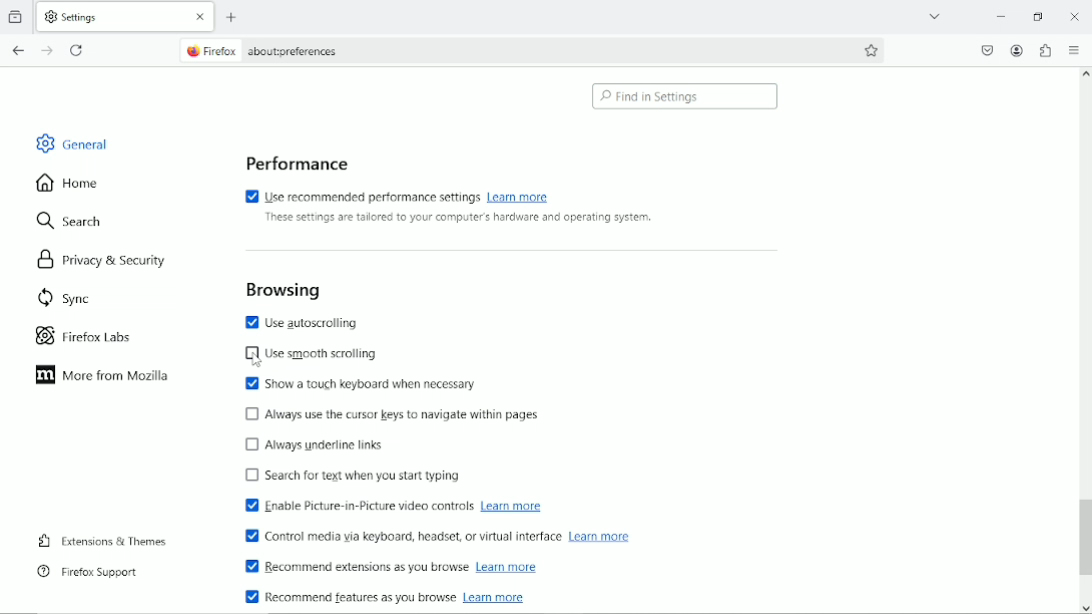 The width and height of the screenshot is (1092, 614). What do you see at coordinates (310, 322) in the screenshot?
I see `Use autoscrolling` at bounding box center [310, 322].